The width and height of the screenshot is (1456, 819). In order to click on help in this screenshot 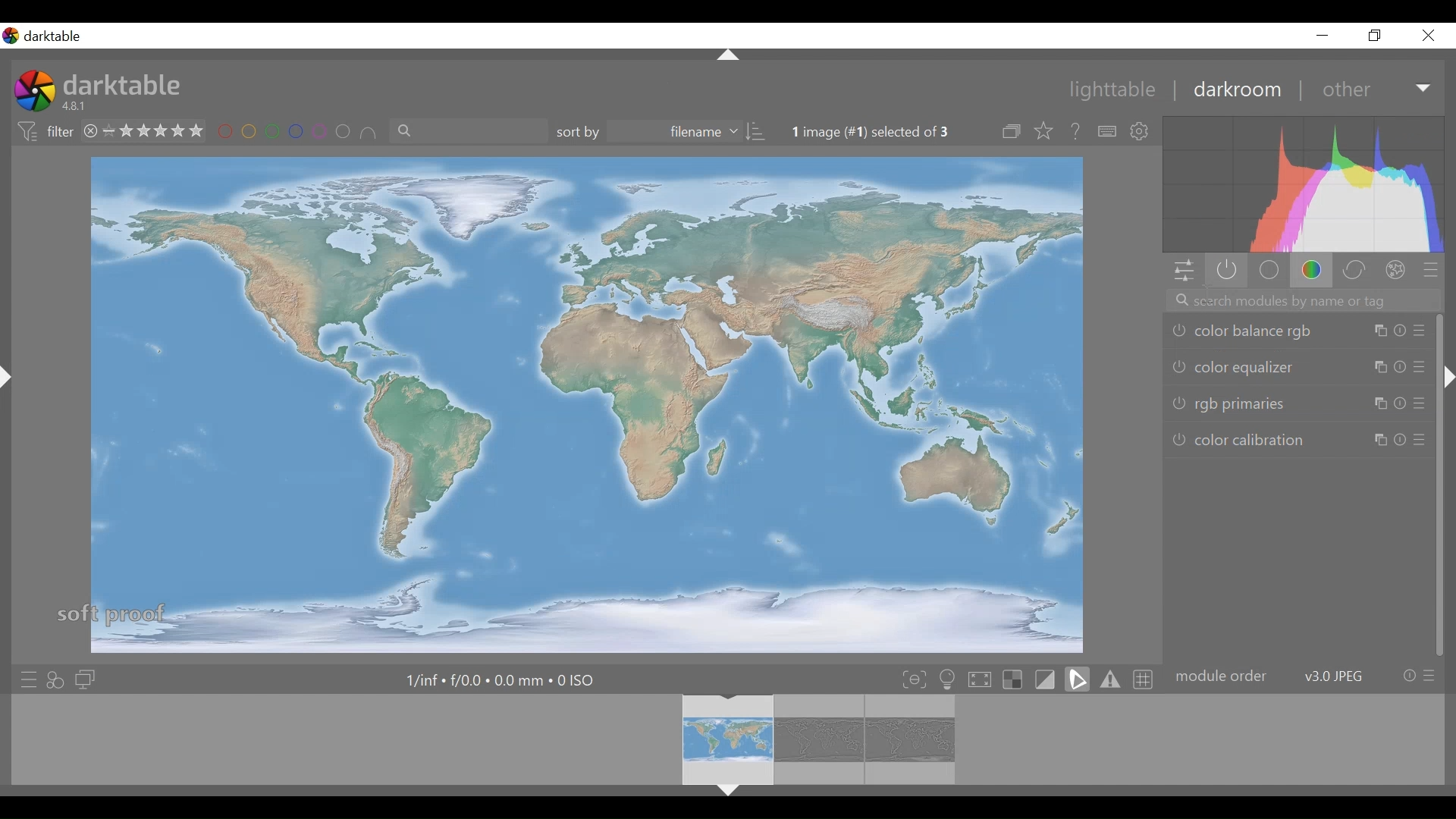, I will do `click(1075, 131)`.